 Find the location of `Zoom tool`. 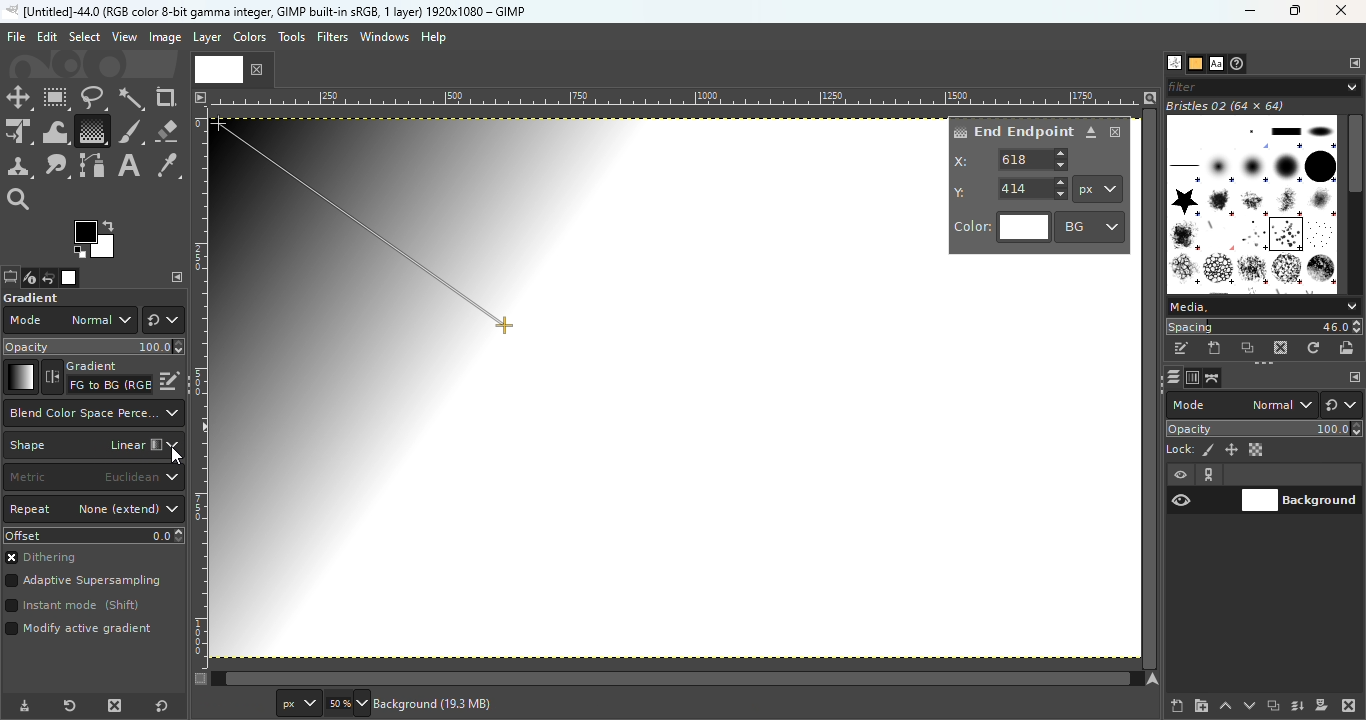

Zoom tool is located at coordinates (20, 197).